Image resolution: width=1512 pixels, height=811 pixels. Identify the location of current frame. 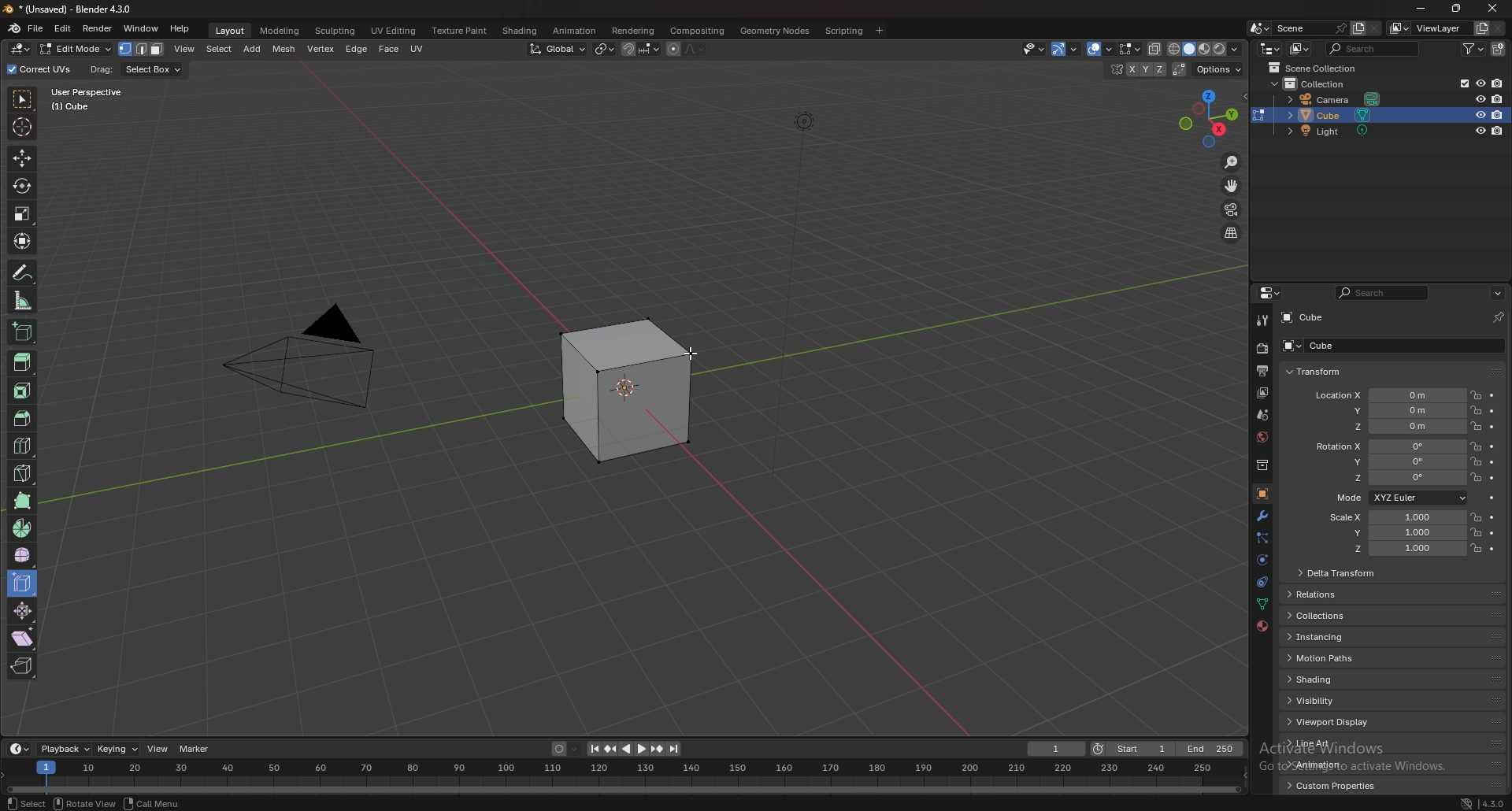
(1055, 749).